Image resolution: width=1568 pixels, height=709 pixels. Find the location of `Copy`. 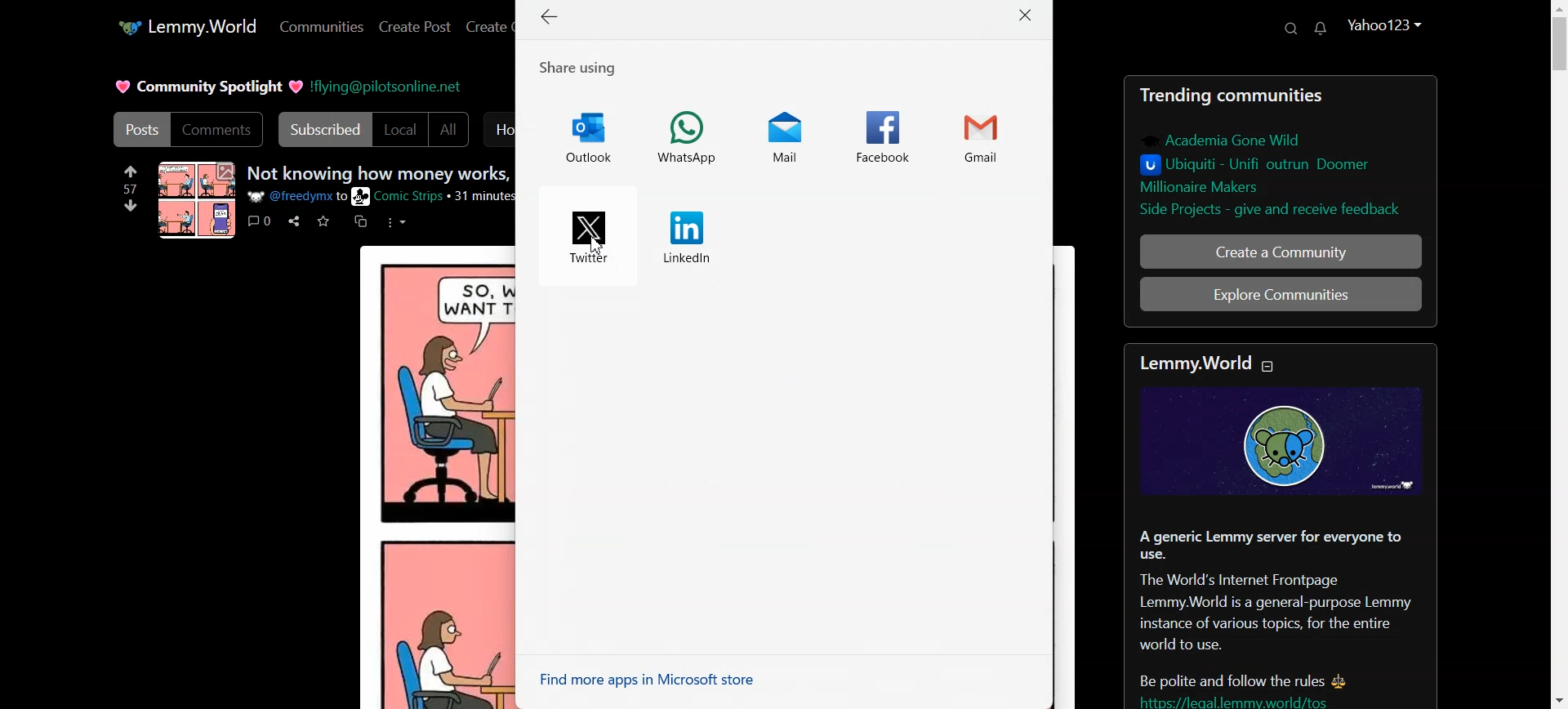

Copy is located at coordinates (361, 222).